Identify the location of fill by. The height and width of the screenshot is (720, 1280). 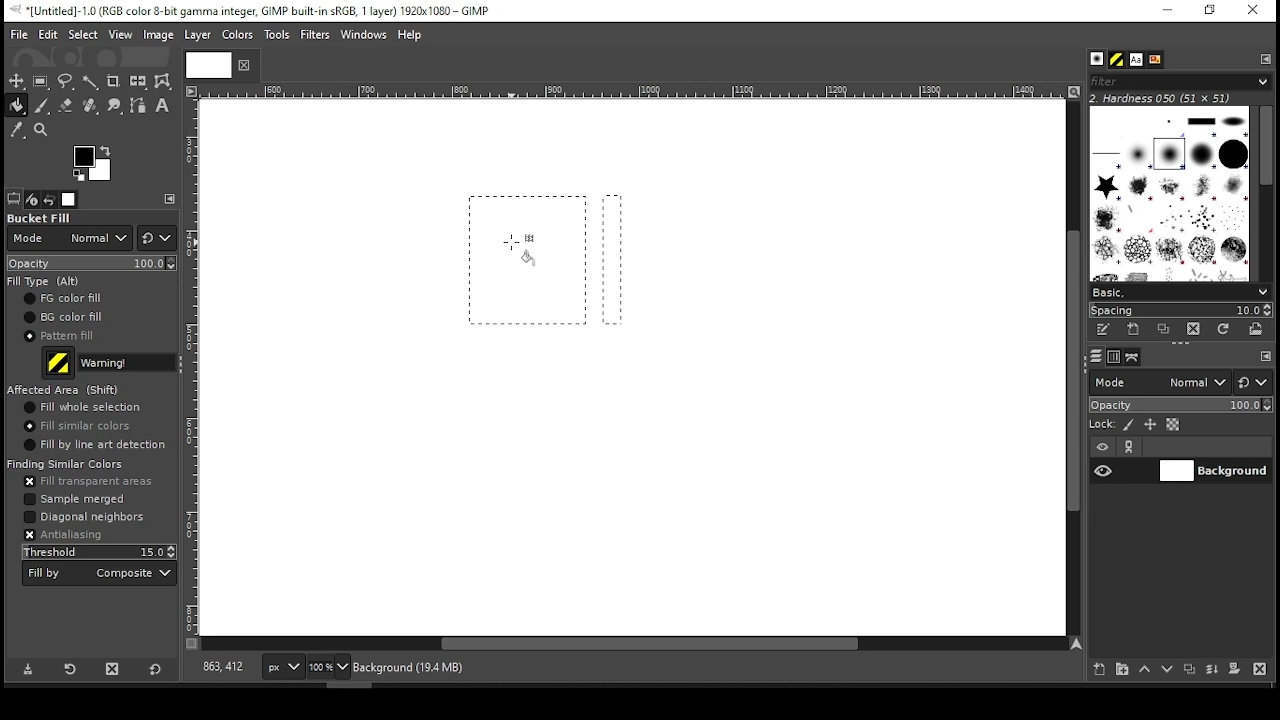
(99, 574).